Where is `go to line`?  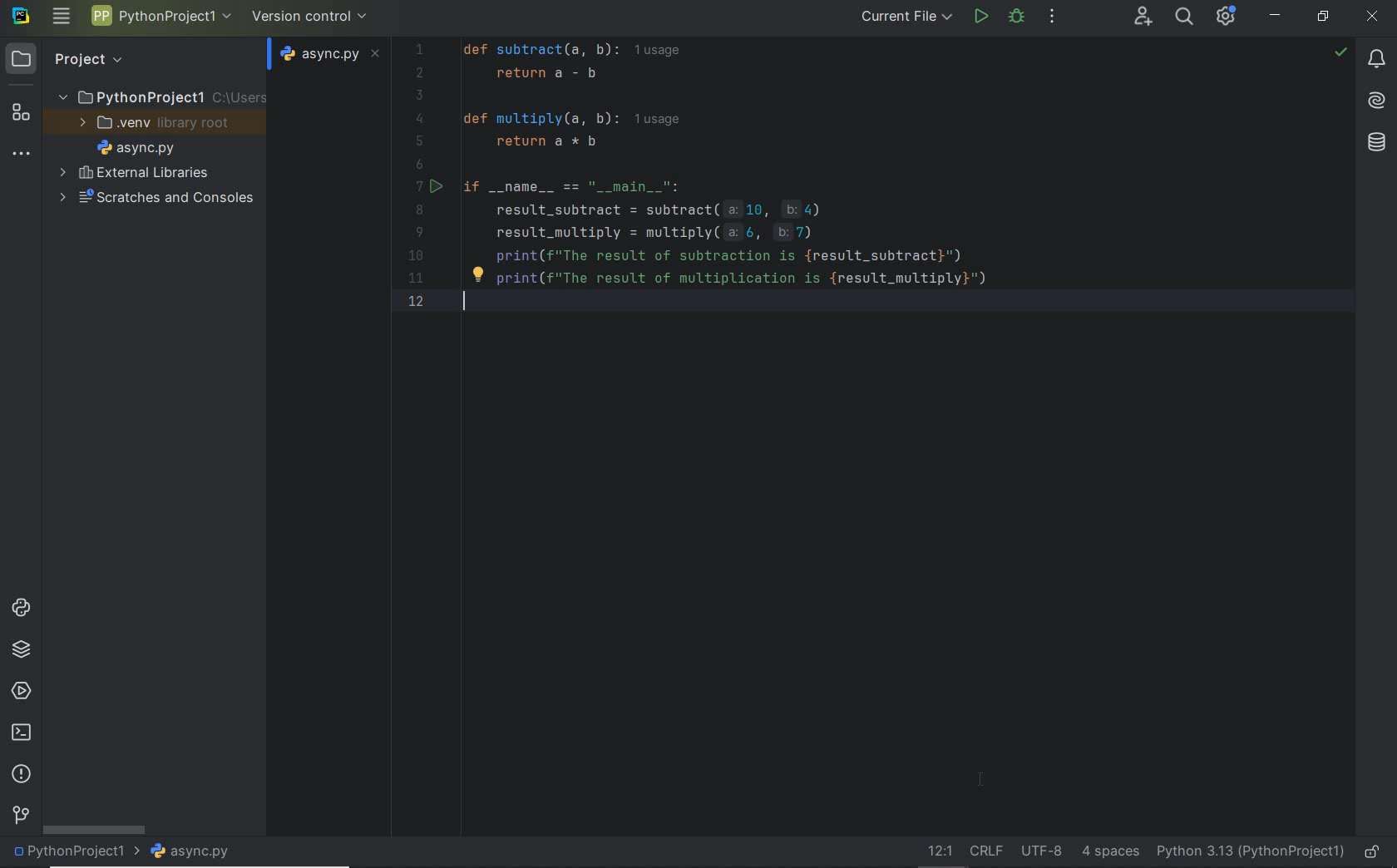
go to line is located at coordinates (935, 850).